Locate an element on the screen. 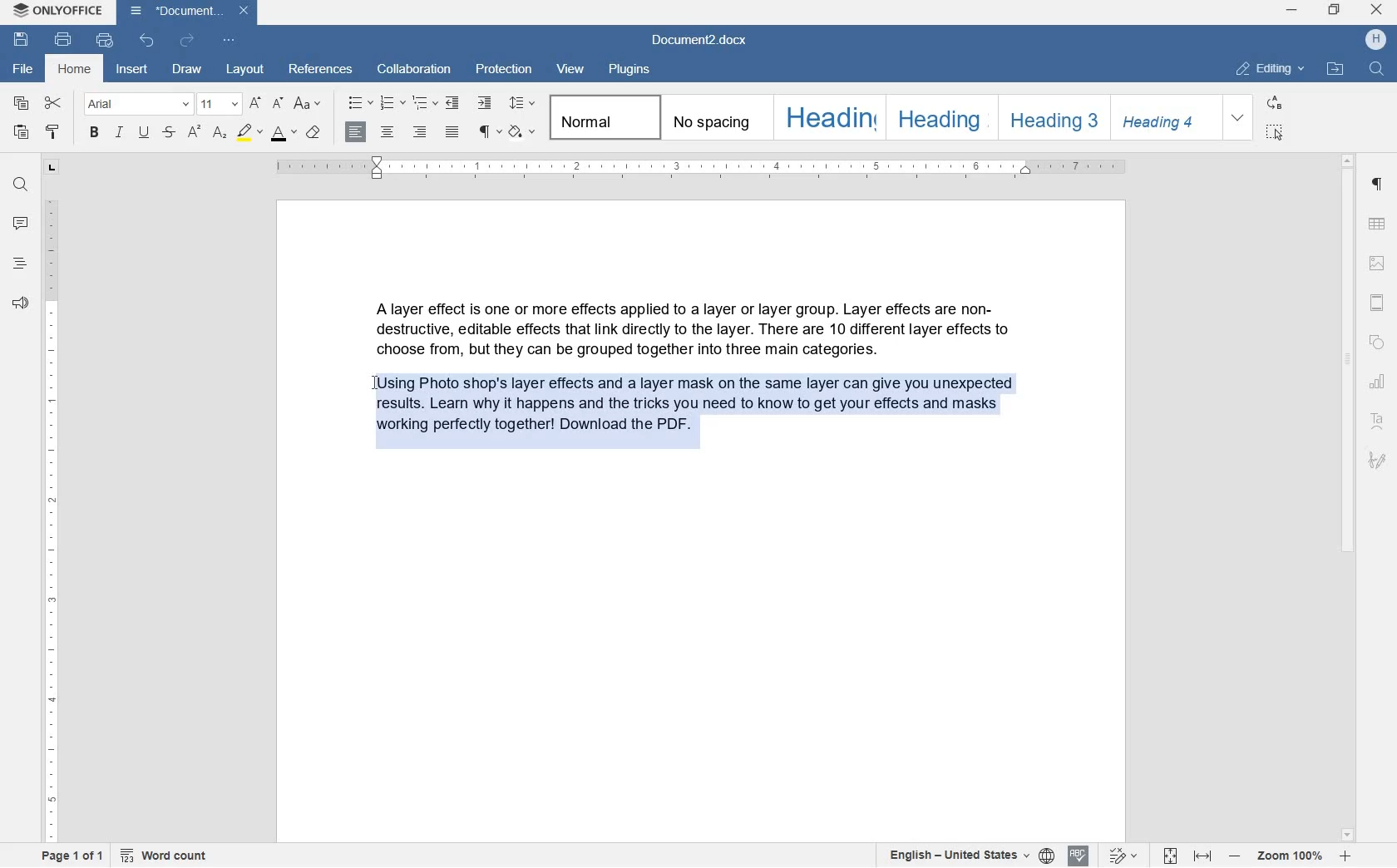  DRAW is located at coordinates (190, 70).